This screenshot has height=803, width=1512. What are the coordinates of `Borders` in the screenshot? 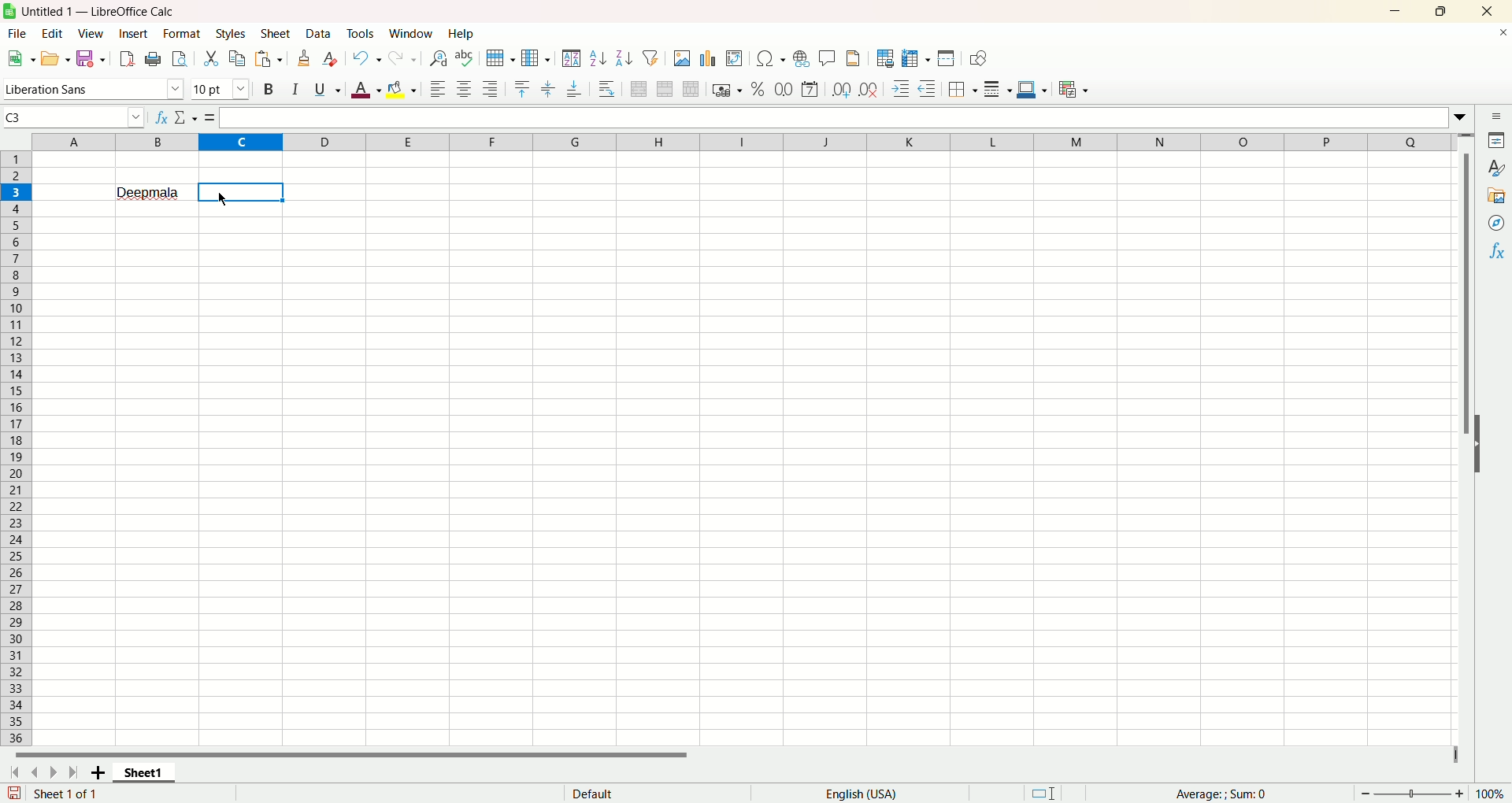 It's located at (962, 90).